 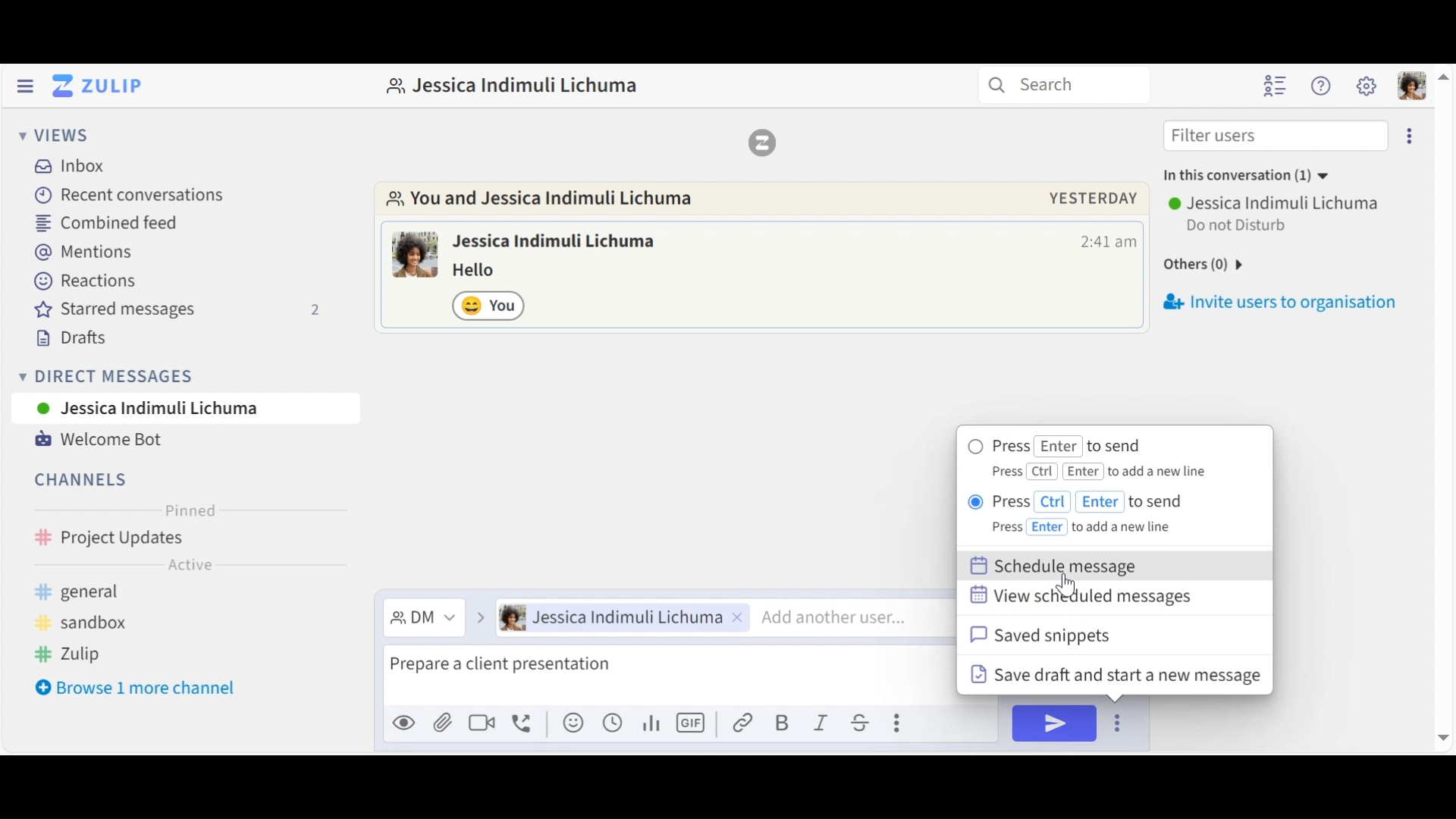 I want to click on Time message sent, so click(x=1108, y=242).